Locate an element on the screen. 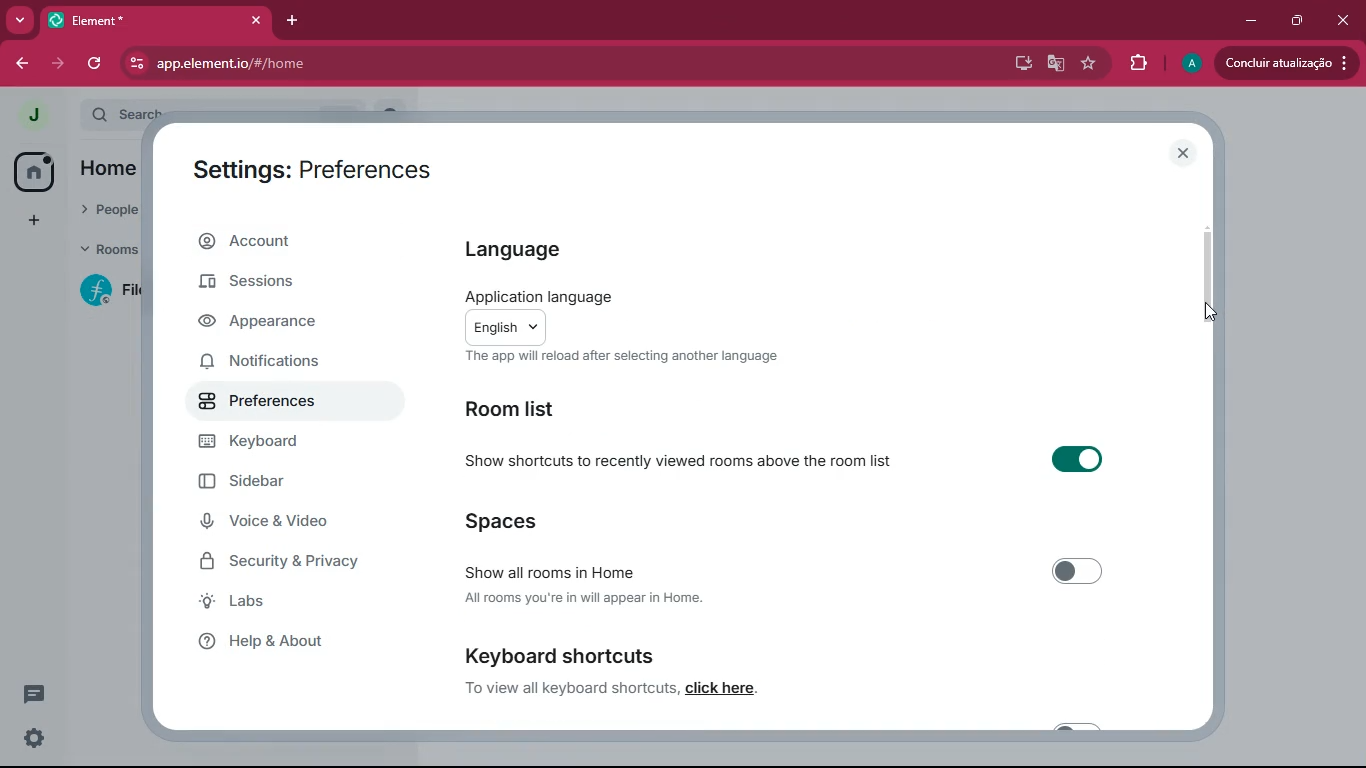 The width and height of the screenshot is (1366, 768). conduir atualizacao is located at coordinates (1285, 63).